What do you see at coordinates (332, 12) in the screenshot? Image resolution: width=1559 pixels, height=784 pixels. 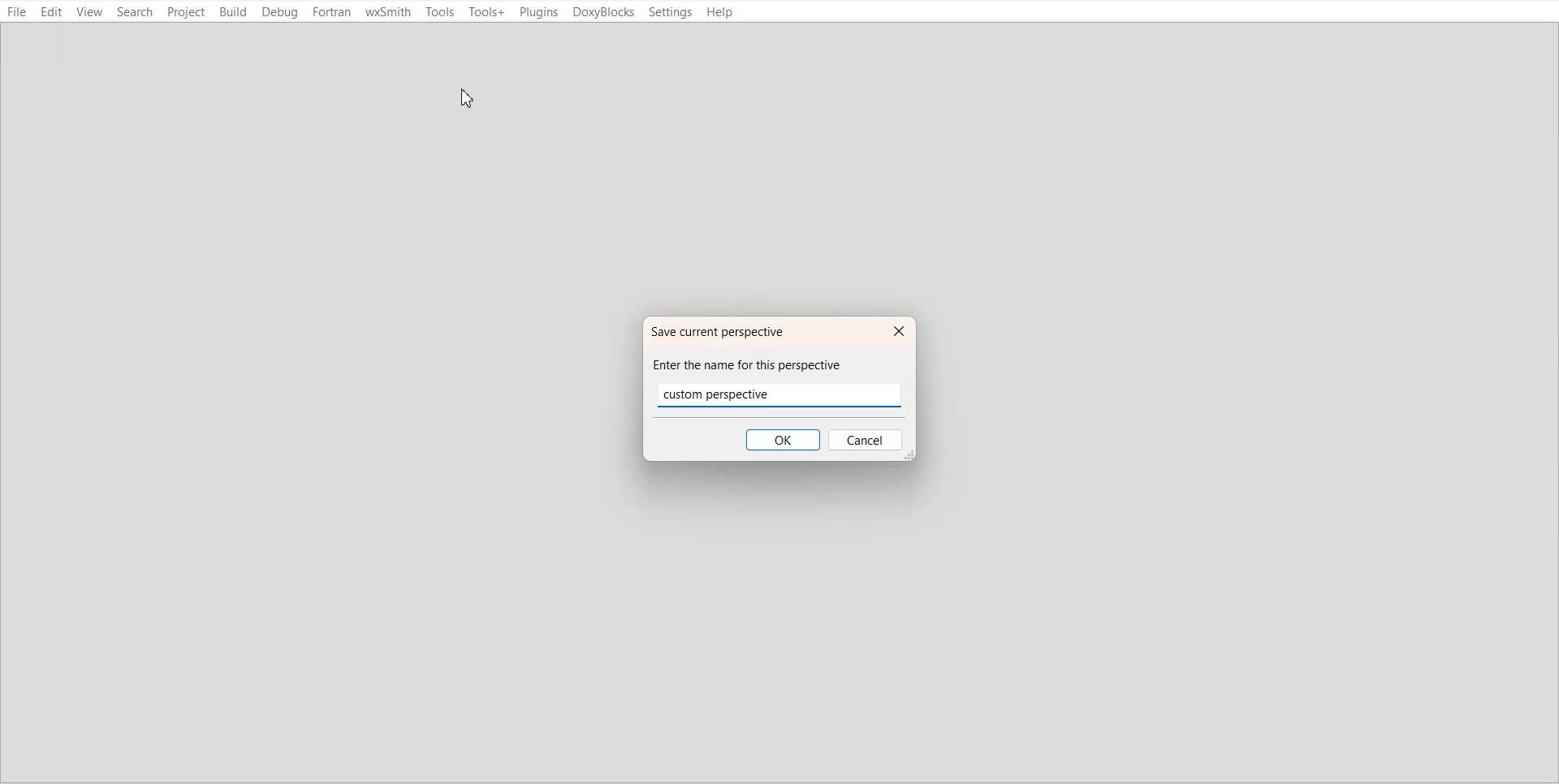 I see `Fortran` at bounding box center [332, 12].